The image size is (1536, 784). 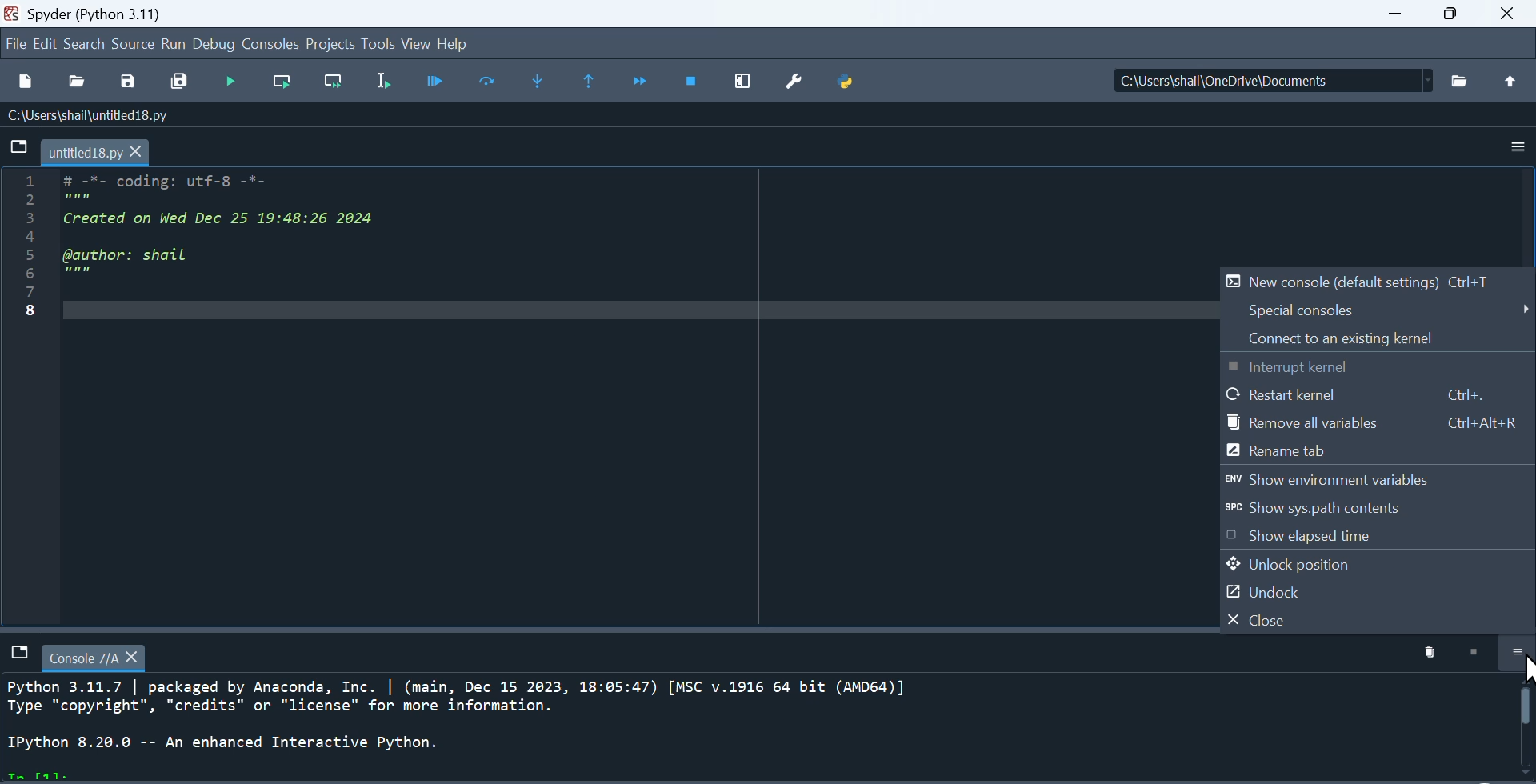 What do you see at coordinates (1378, 453) in the screenshot?
I see `rename tab` at bounding box center [1378, 453].